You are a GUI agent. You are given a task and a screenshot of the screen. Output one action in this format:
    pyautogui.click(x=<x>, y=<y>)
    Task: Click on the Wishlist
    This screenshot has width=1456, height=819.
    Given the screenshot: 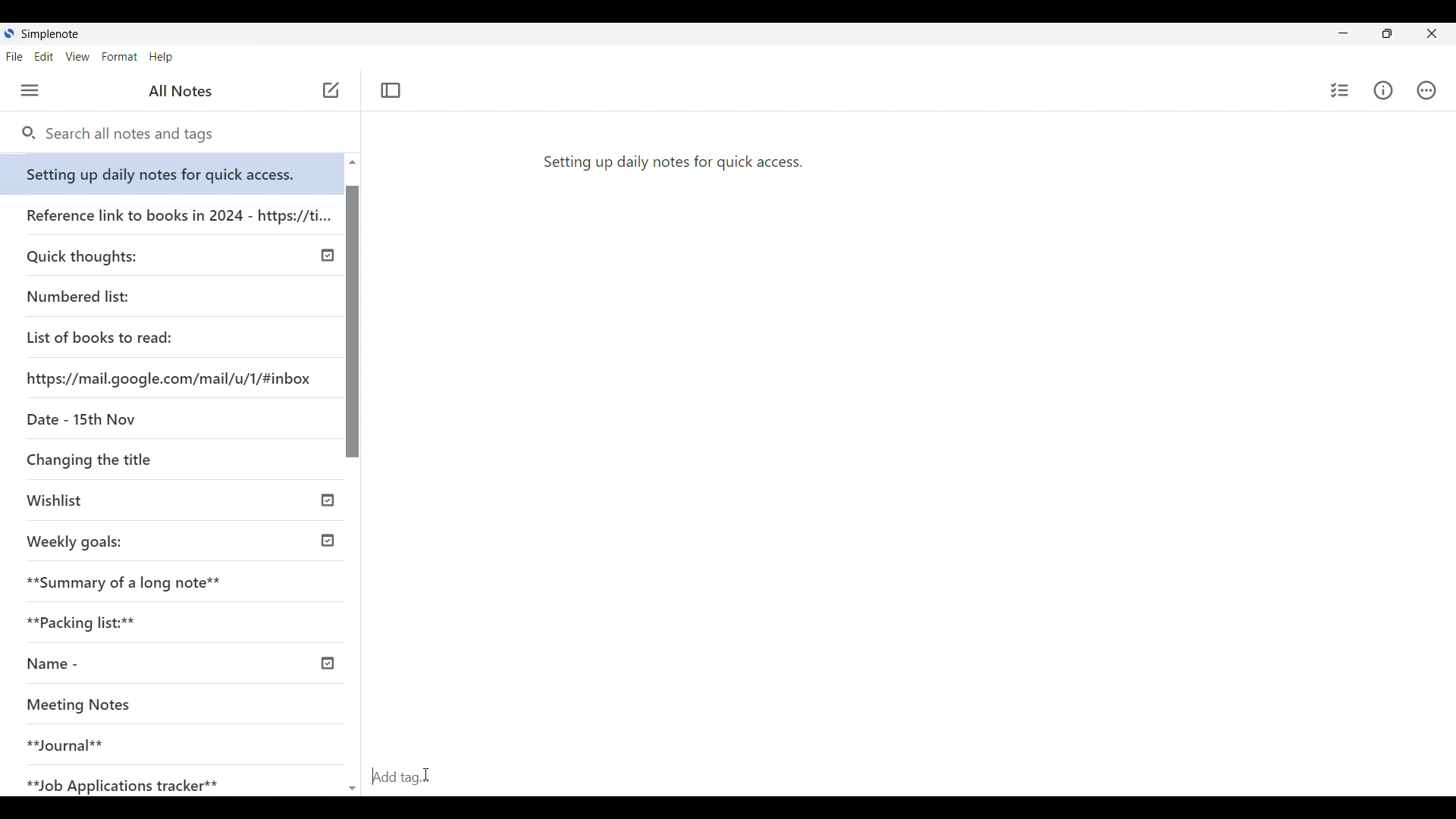 What is the action you would take?
    pyautogui.click(x=127, y=502)
    